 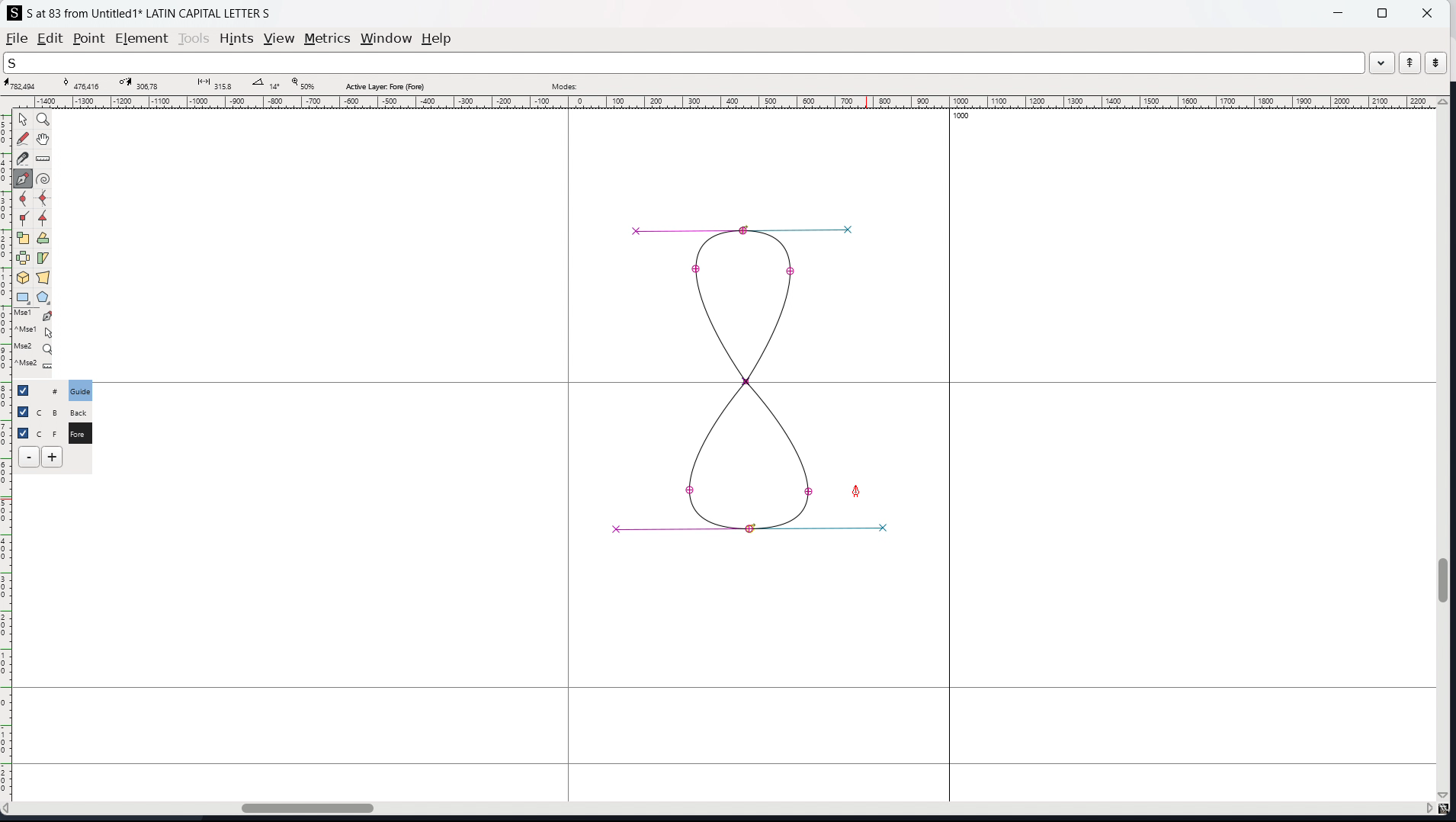 I want to click on drawing updated, so click(x=749, y=373).